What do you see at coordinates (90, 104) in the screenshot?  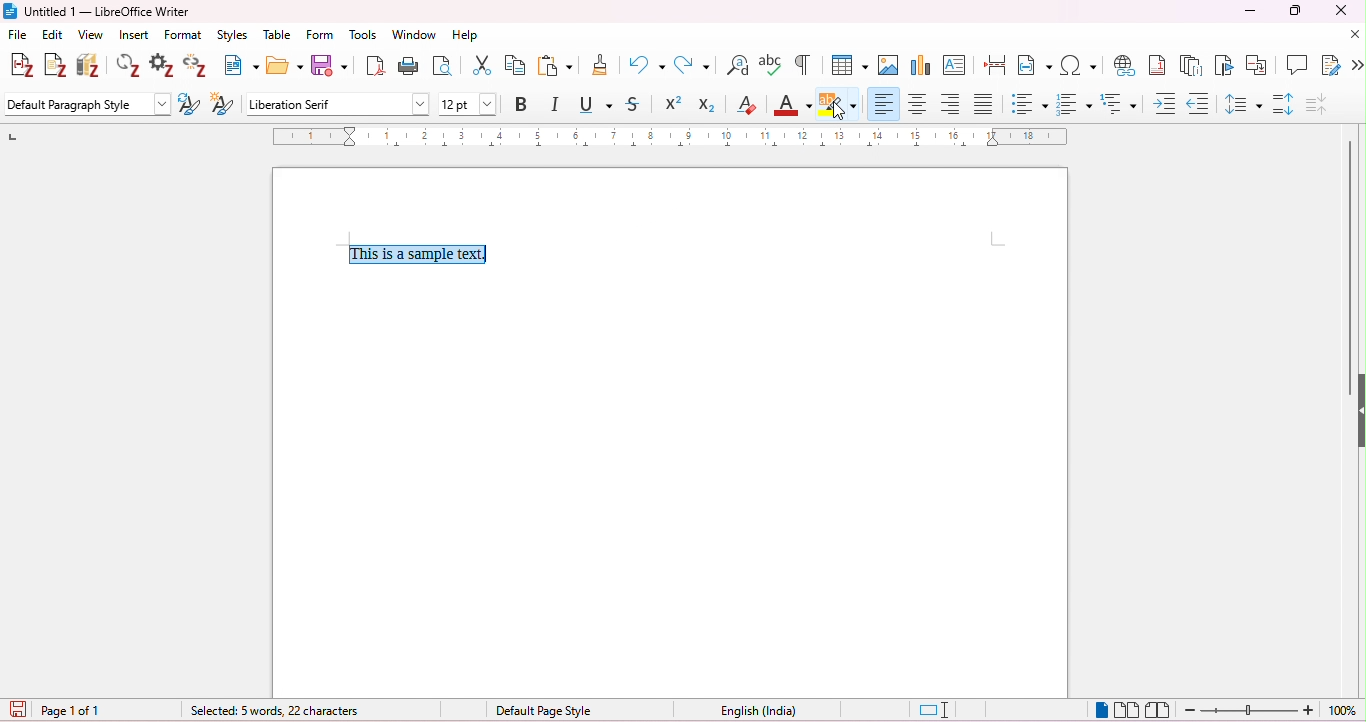 I see `default paragraph style` at bounding box center [90, 104].